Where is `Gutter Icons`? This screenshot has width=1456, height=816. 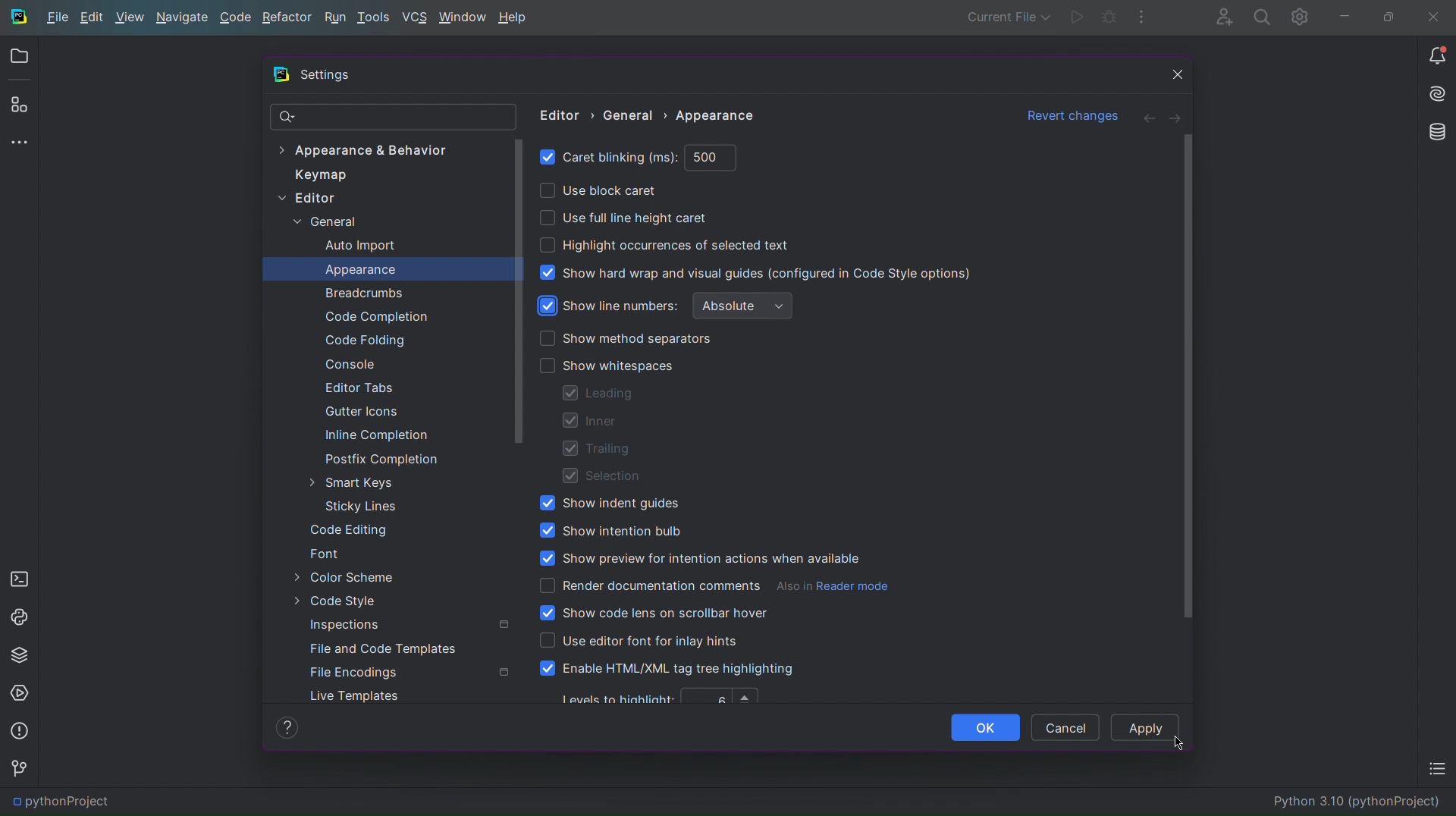
Gutter Icons is located at coordinates (353, 415).